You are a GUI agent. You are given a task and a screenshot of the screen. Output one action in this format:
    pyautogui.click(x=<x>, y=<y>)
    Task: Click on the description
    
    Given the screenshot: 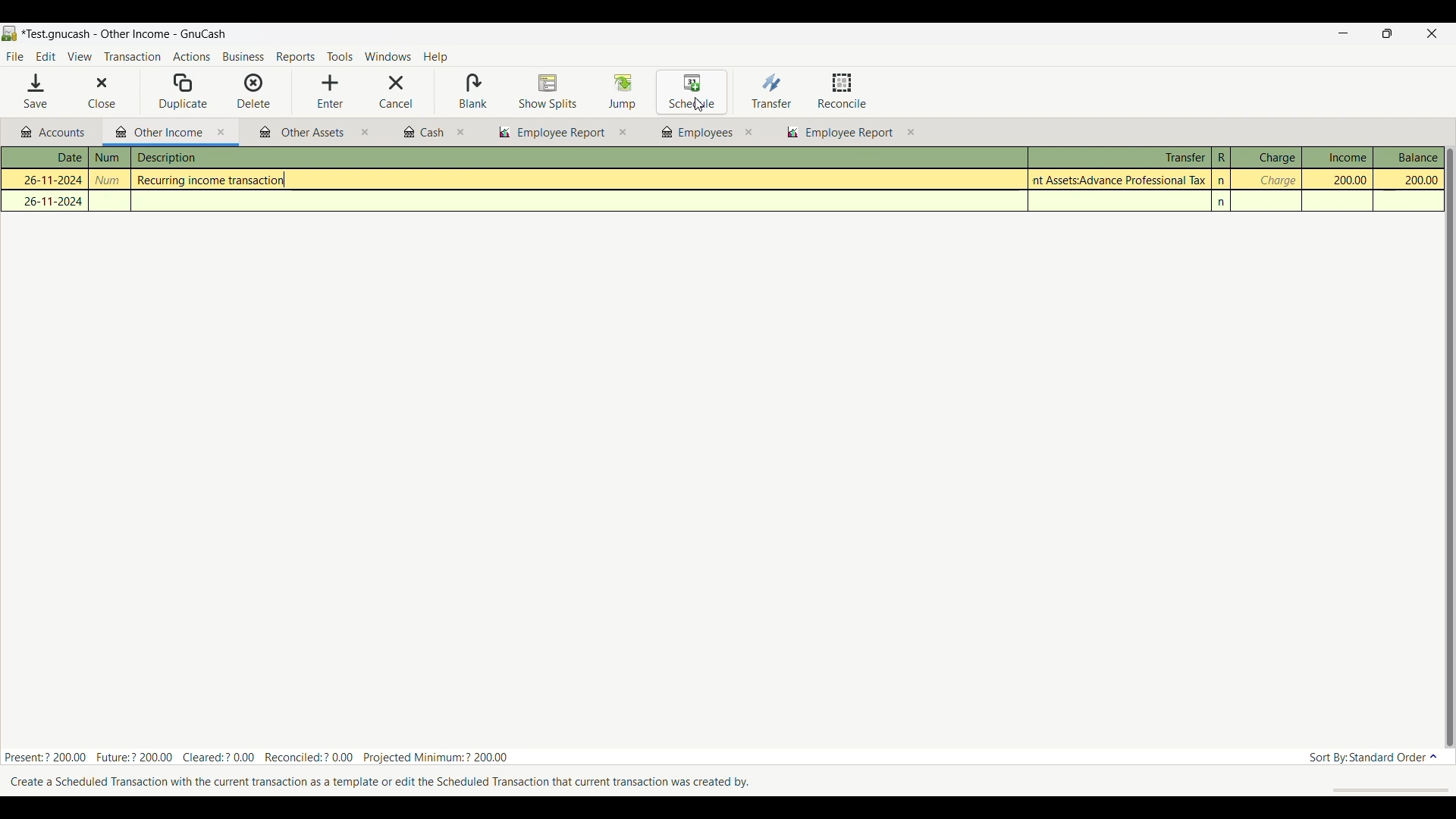 What is the action you would take?
    pyautogui.click(x=245, y=158)
    